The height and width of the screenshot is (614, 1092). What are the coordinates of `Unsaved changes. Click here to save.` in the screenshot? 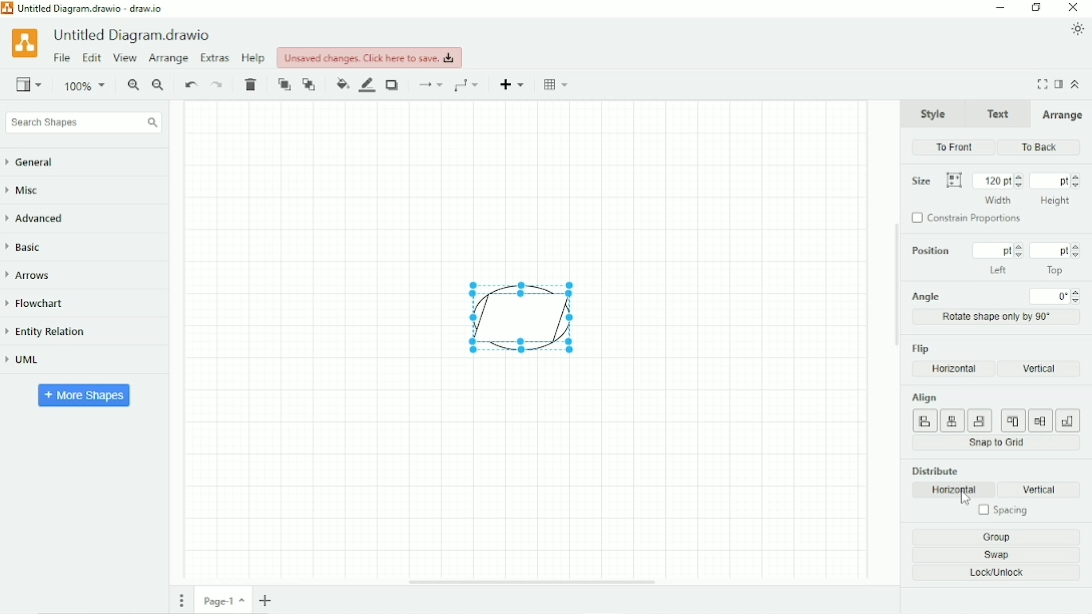 It's located at (370, 57).